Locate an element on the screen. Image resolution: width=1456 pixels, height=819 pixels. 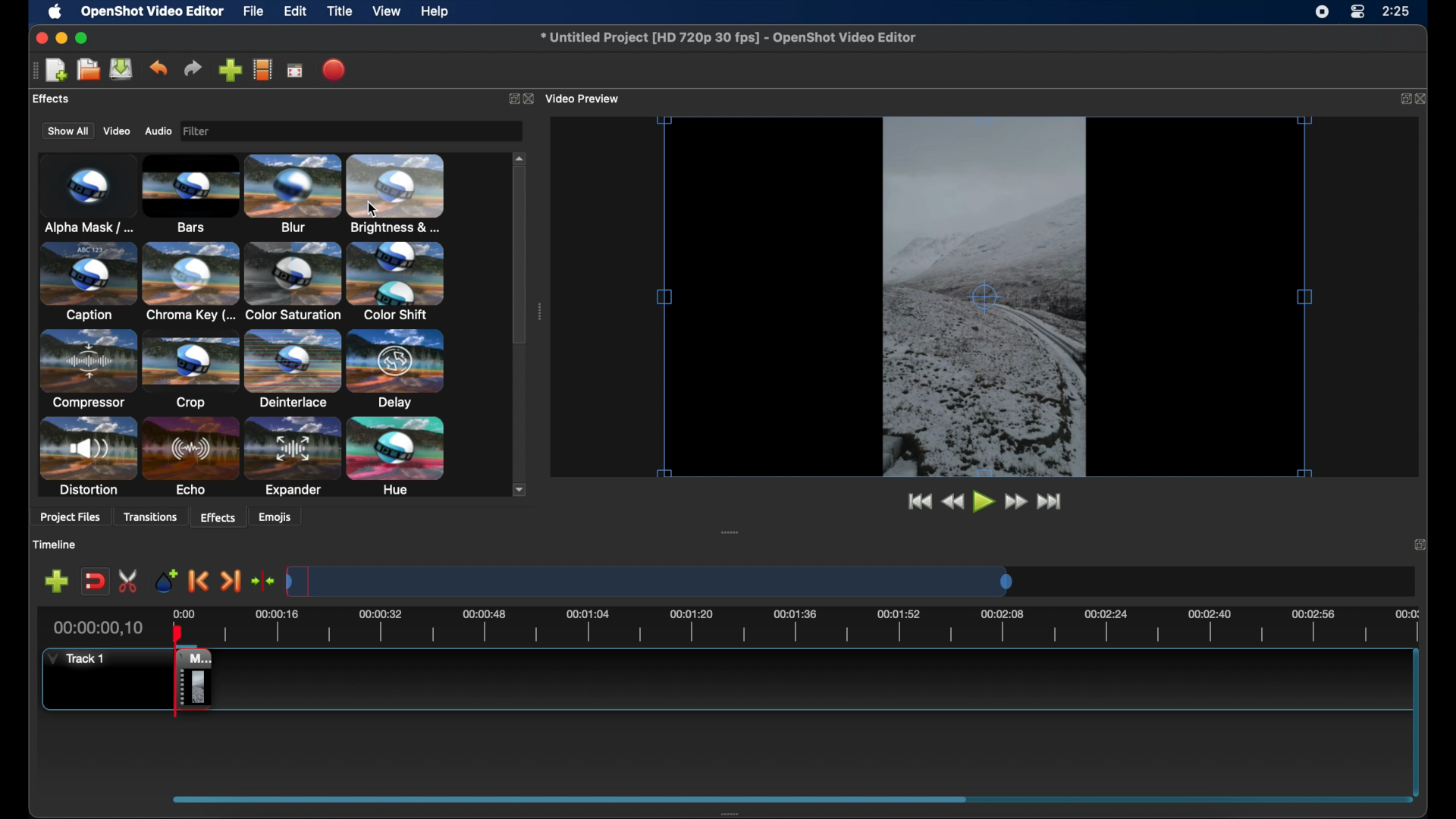
crop is located at coordinates (191, 369).